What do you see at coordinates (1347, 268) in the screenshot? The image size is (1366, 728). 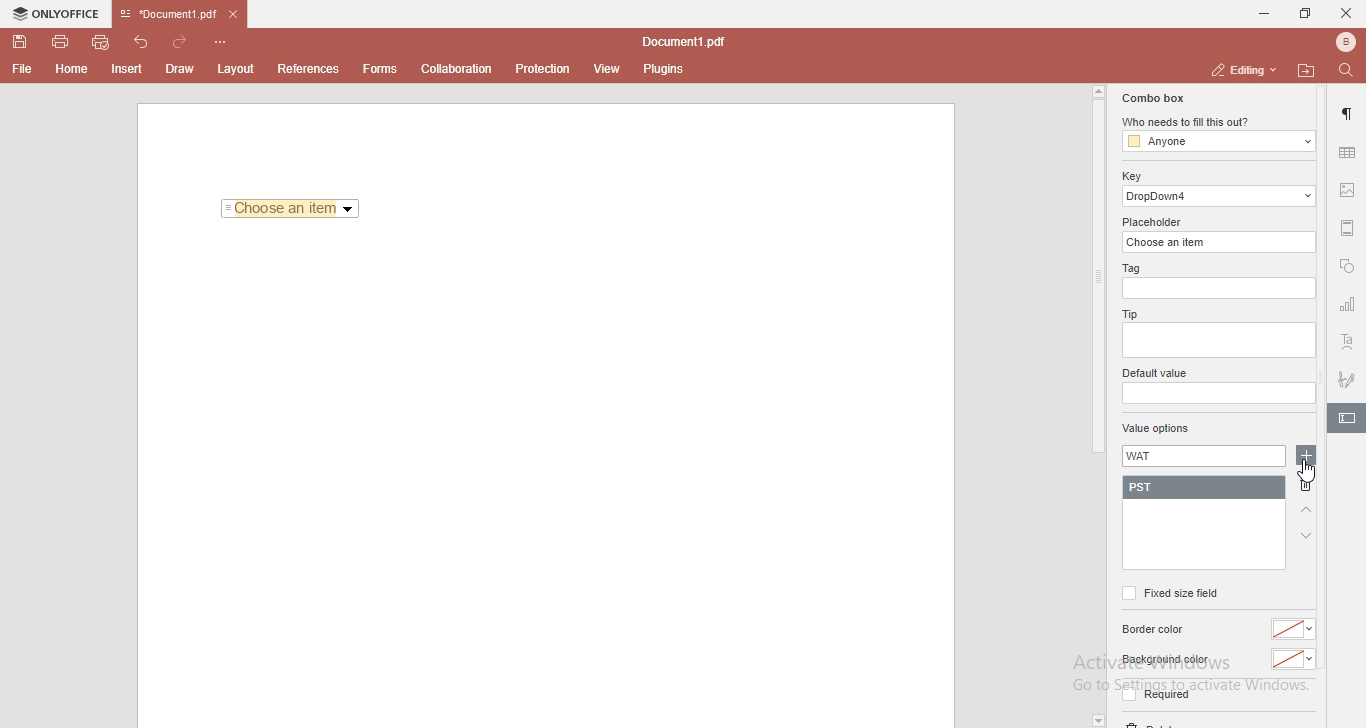 I see `shapes` at bounding box center [1347, 268].